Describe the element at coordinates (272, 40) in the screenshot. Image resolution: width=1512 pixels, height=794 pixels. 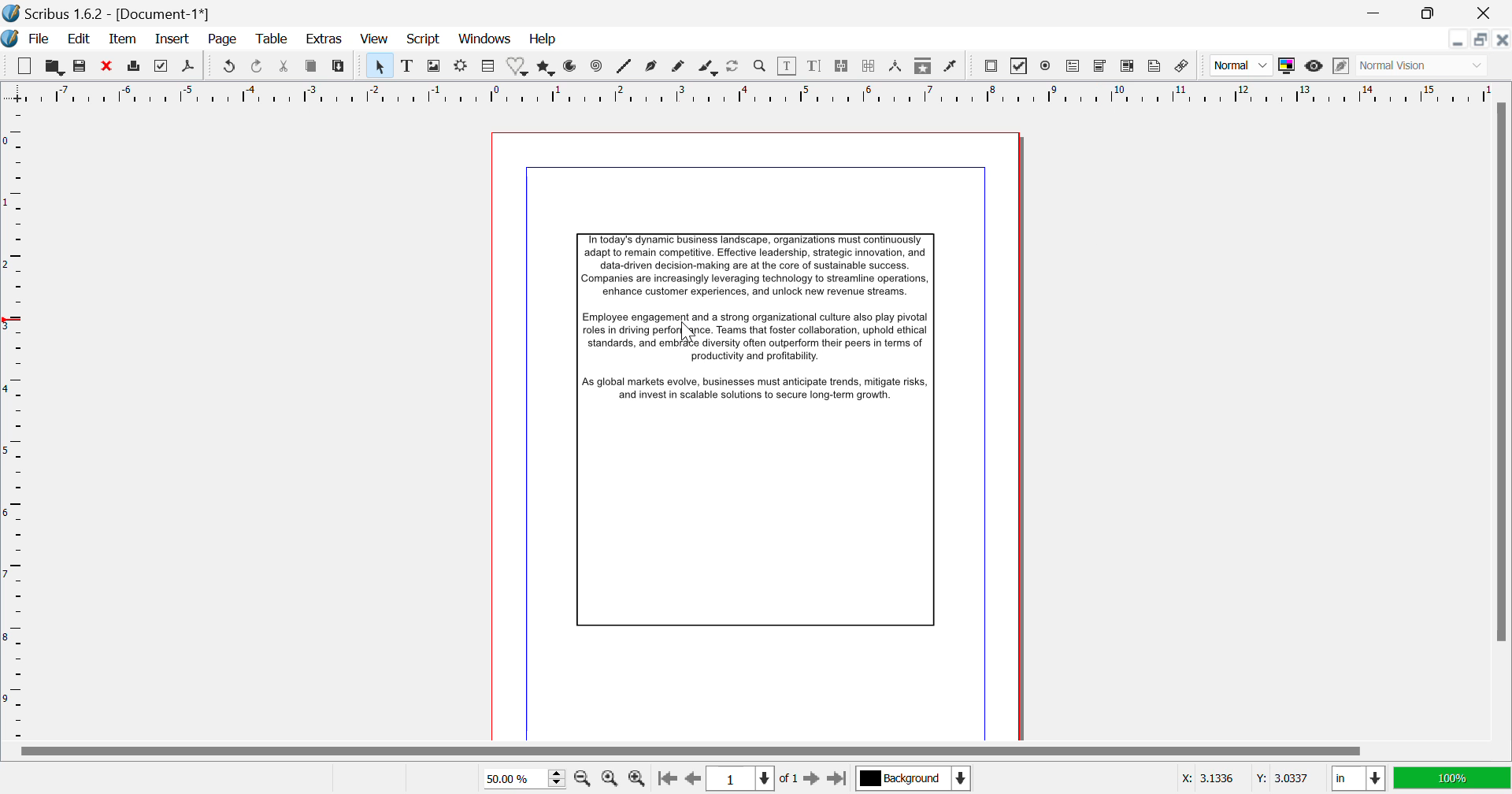
I see `Table` at that location.